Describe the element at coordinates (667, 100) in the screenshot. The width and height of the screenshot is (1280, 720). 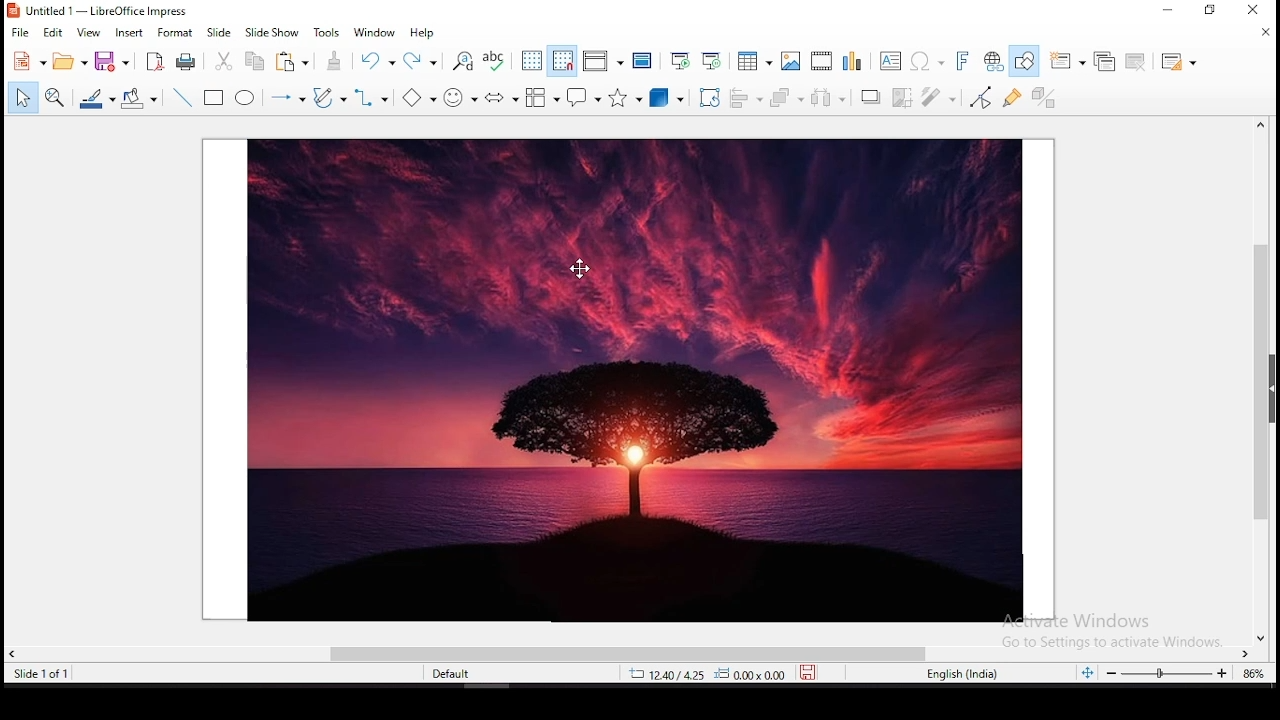
I see `3D shapes` at that location.